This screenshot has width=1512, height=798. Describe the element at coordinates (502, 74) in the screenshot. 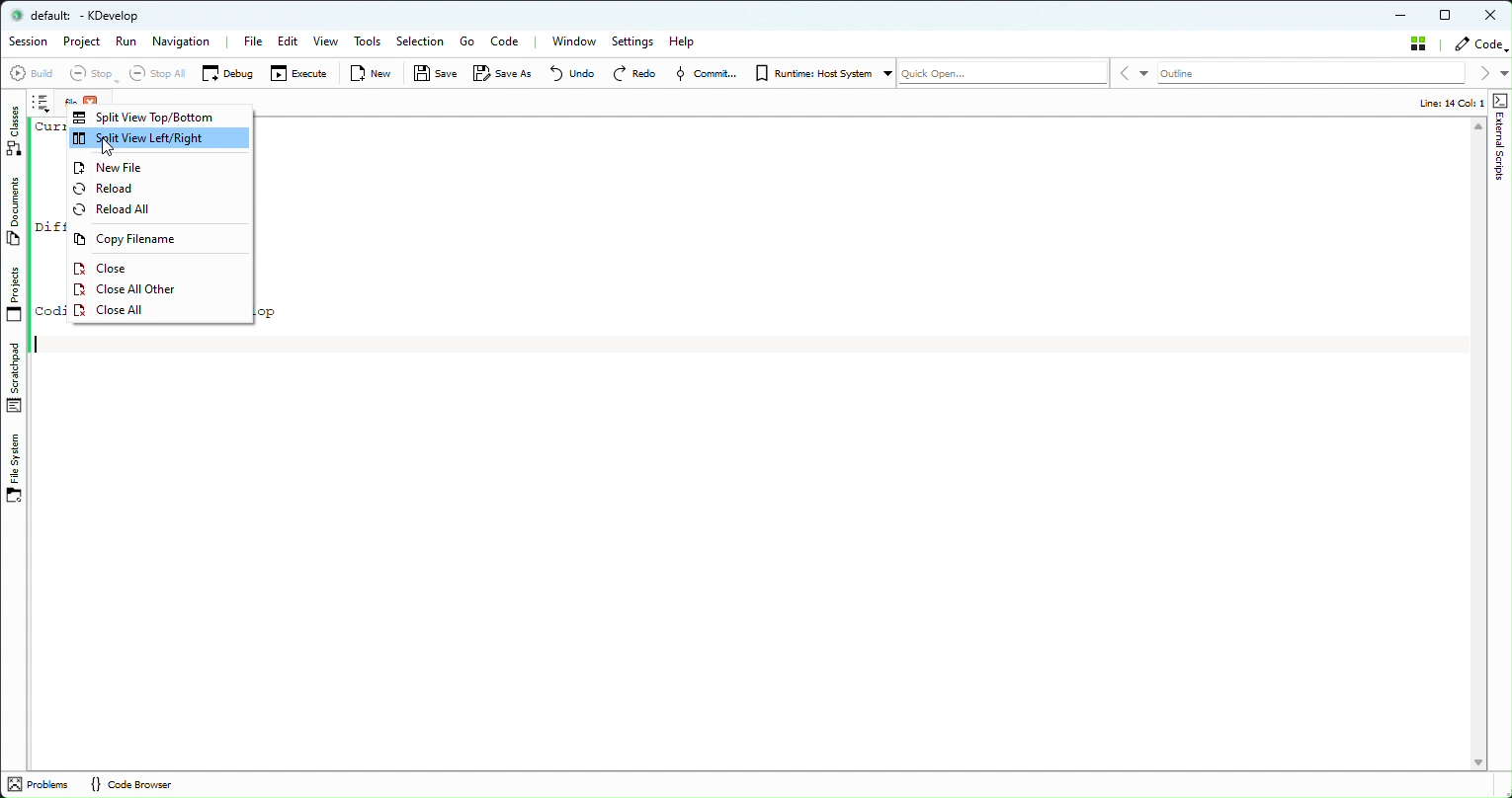

I see `Save as` at that location.